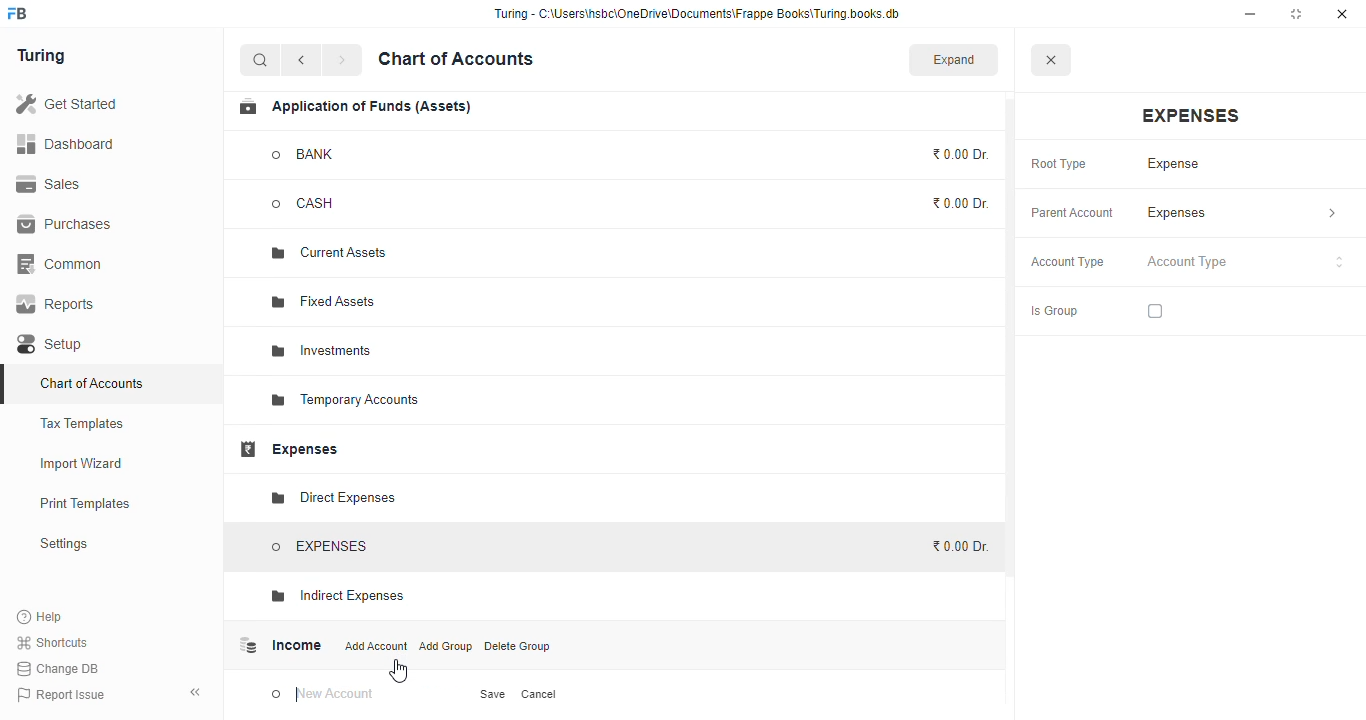 The height and width of the screenshot is (720, 1366). I want to click on toggle sidebar, so click(196, 692).